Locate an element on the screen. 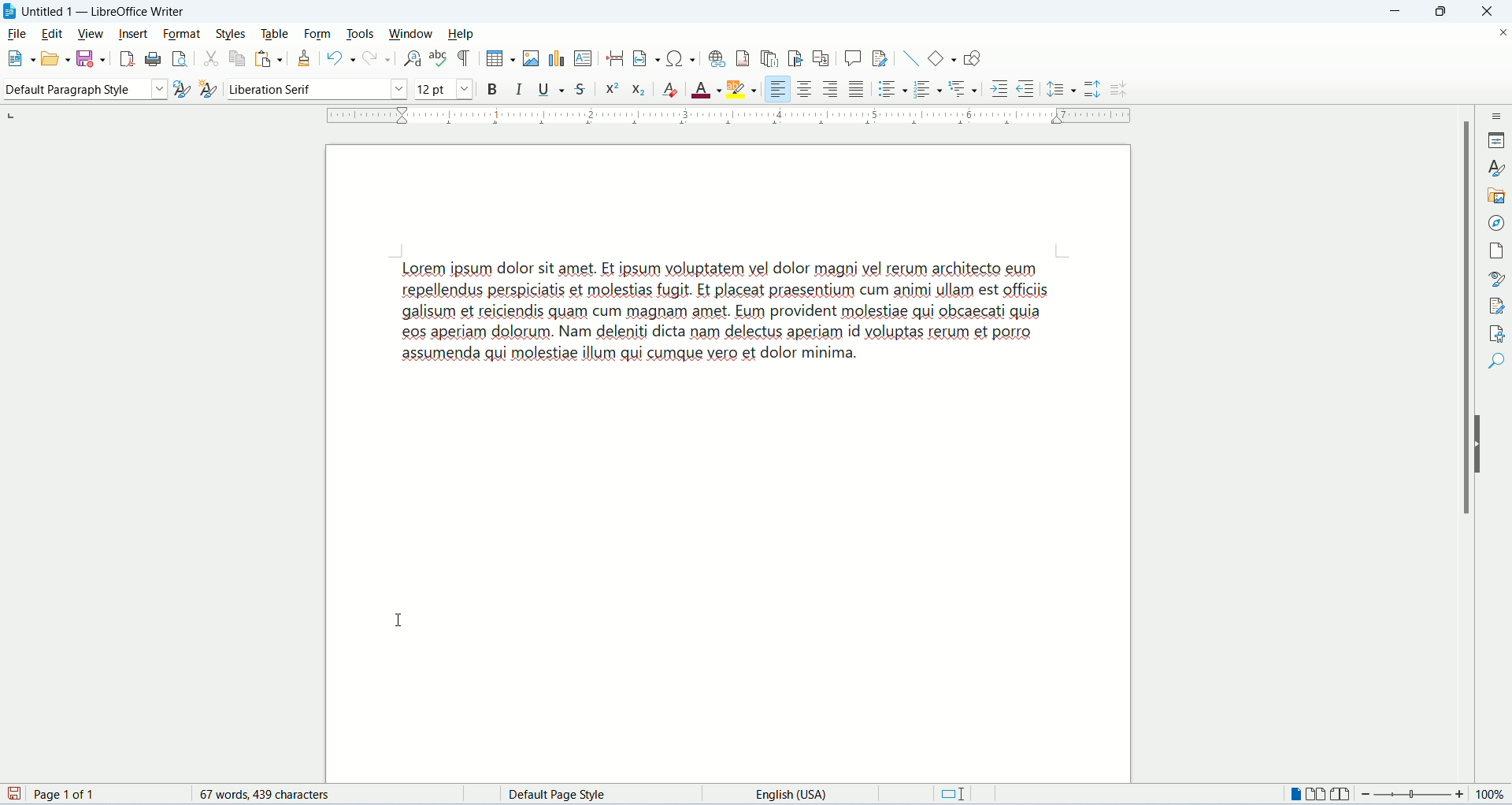  file is located at coordinates (17, 34).